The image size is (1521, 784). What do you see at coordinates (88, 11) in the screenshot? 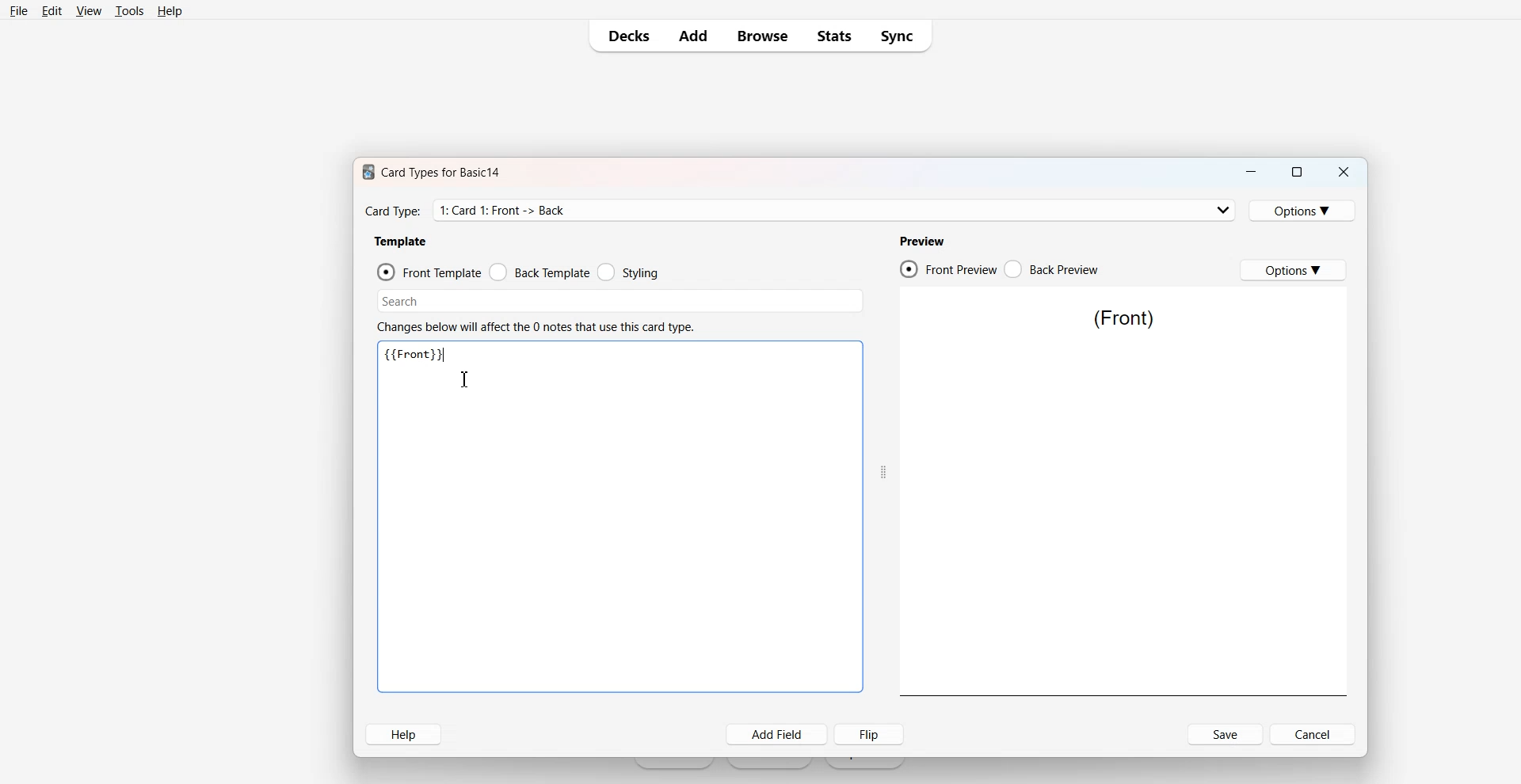
I see `View` at bounding box center [88, 11].